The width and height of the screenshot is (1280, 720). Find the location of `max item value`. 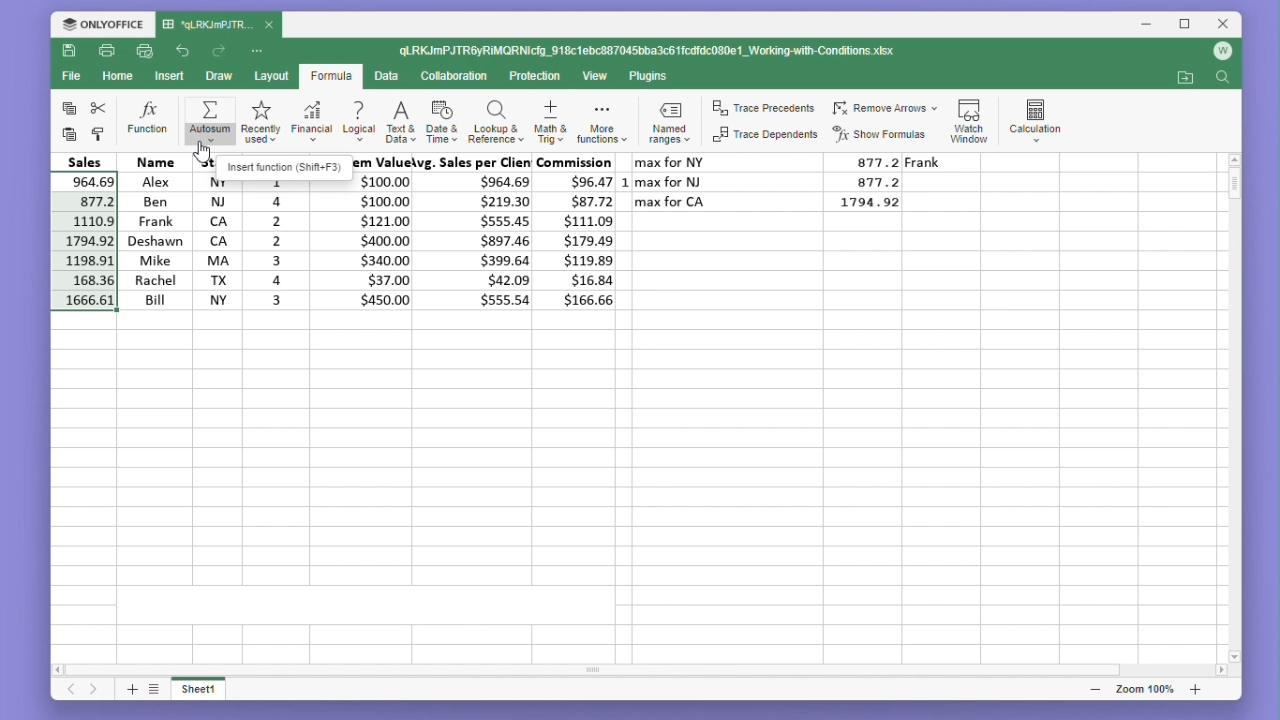

max item value is located at coordinates (376, 231).